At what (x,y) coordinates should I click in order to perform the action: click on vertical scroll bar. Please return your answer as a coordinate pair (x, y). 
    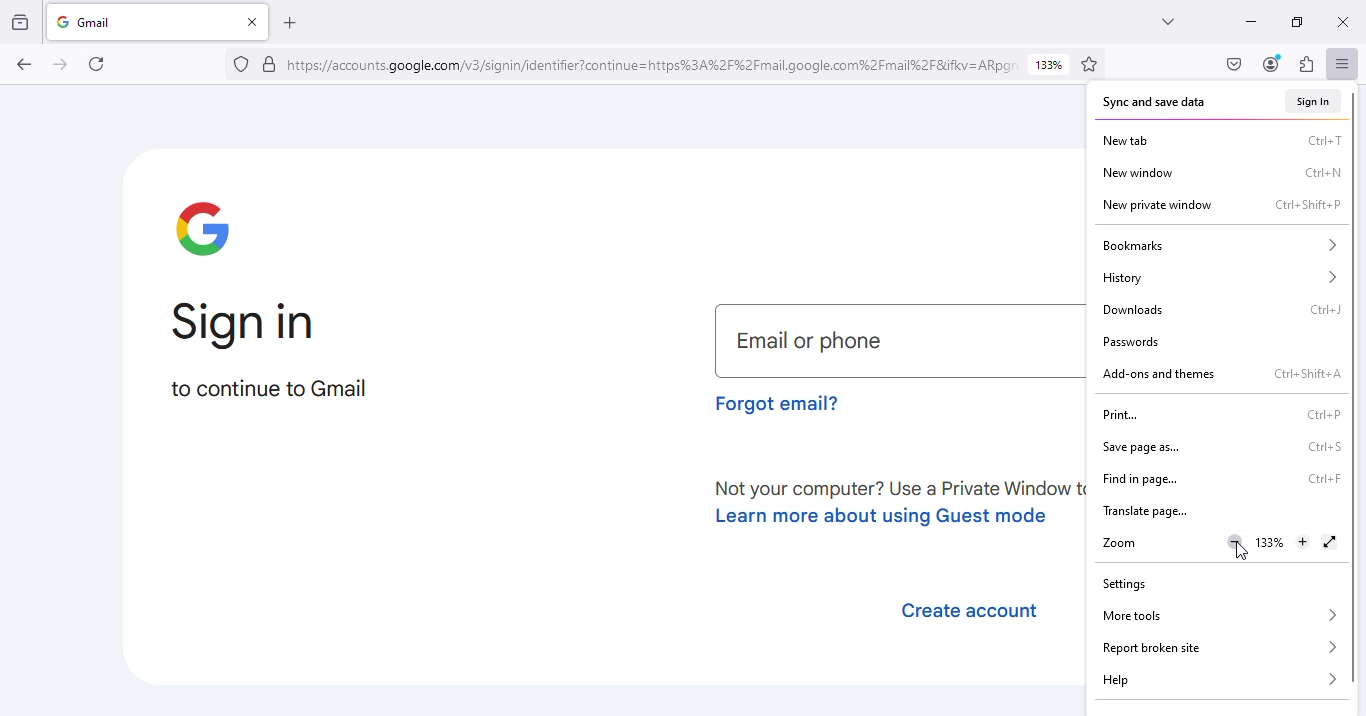
    Looking at the image, I should click on (1354, 388).